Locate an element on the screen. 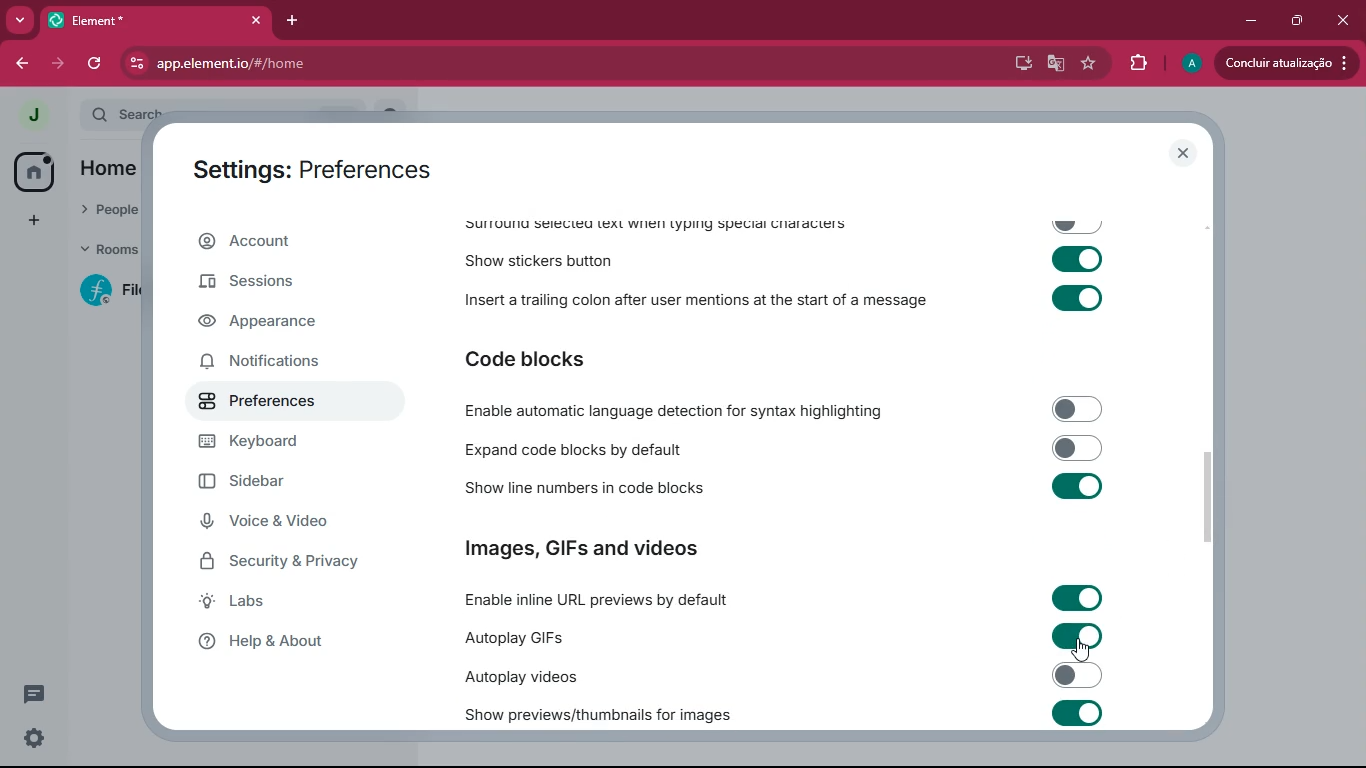 This screenshot has height=768, width=1366. help is located at coordinates (291, 642).